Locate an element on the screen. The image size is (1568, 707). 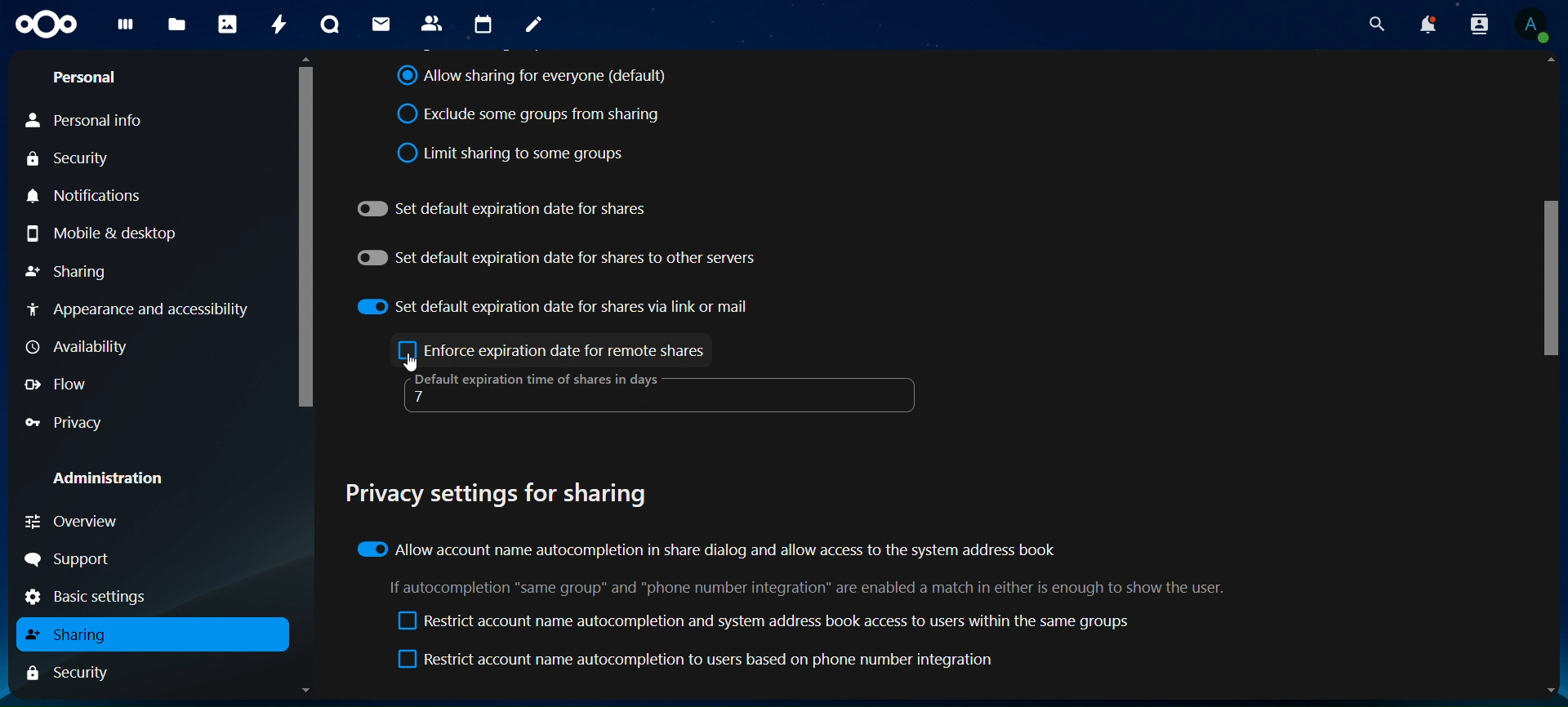
enforce expiration date for remote shares is located at coordinates (554, 352).